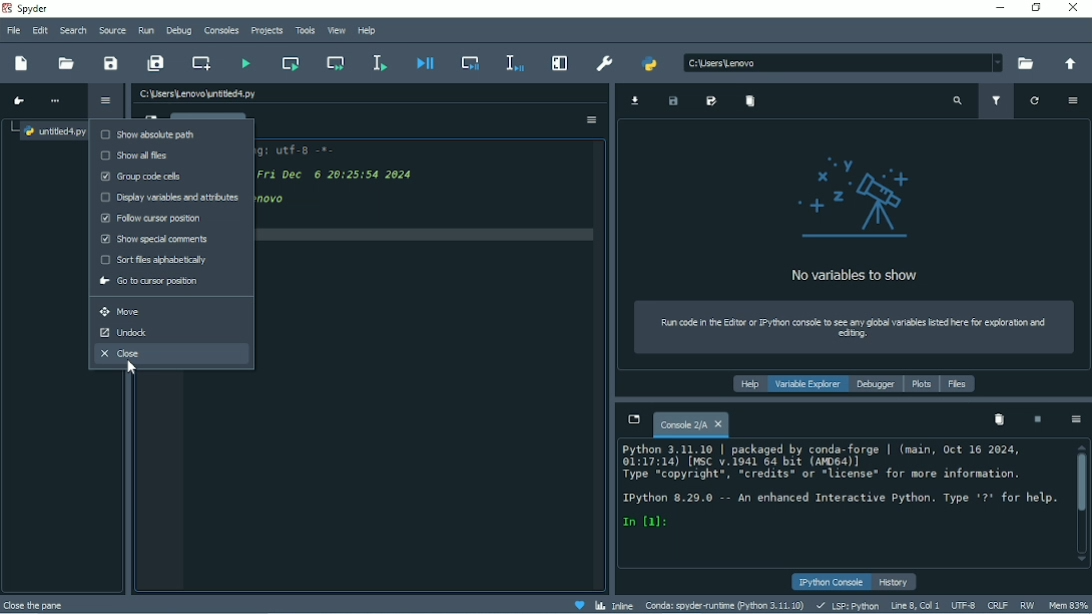  I want to click on Undock, so click(125, 332).